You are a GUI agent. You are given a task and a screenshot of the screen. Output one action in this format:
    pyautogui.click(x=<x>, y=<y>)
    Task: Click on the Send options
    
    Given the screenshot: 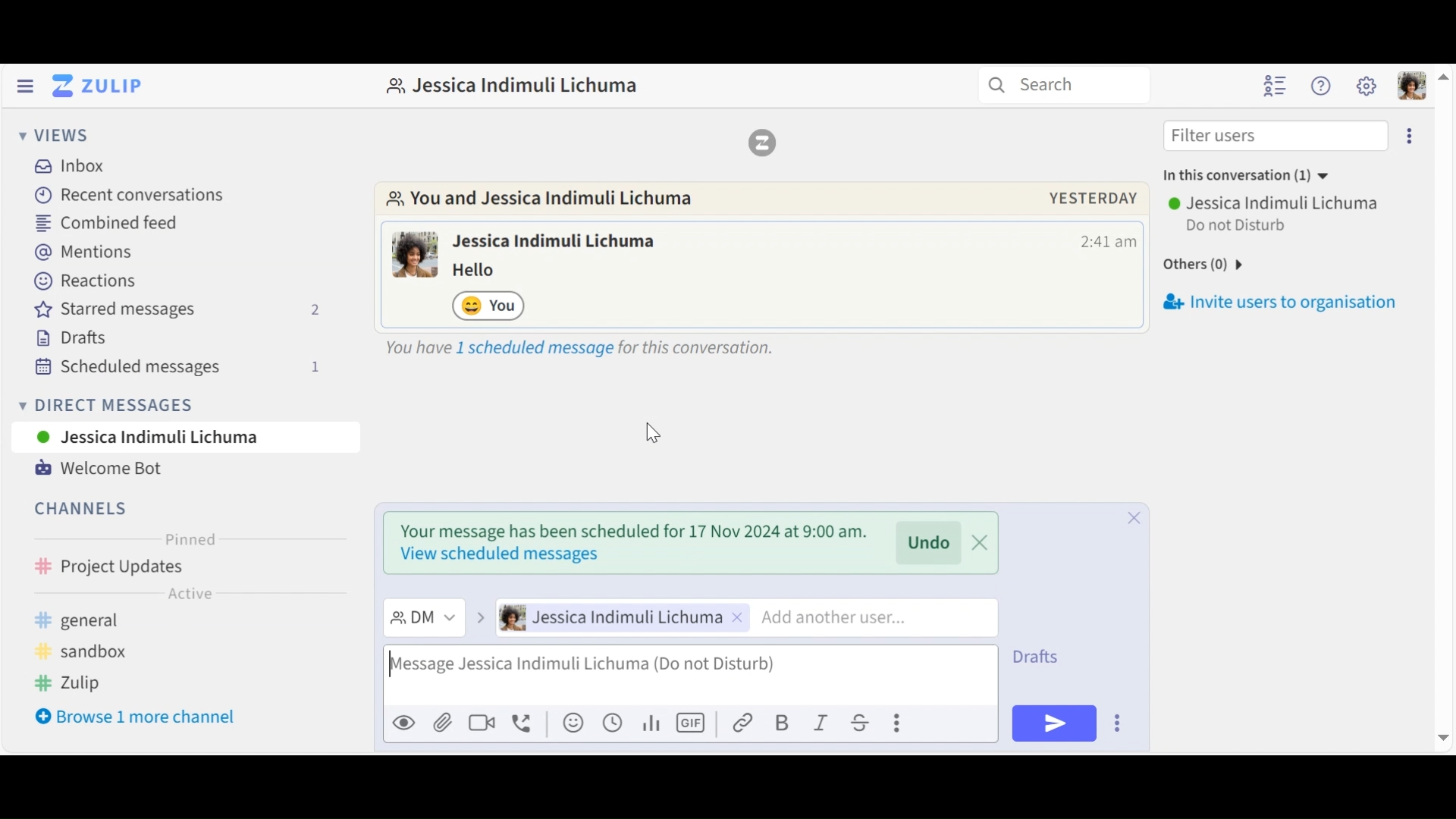 What is the action you would take?
    pyautogui.click(x=1117, y=723)
    